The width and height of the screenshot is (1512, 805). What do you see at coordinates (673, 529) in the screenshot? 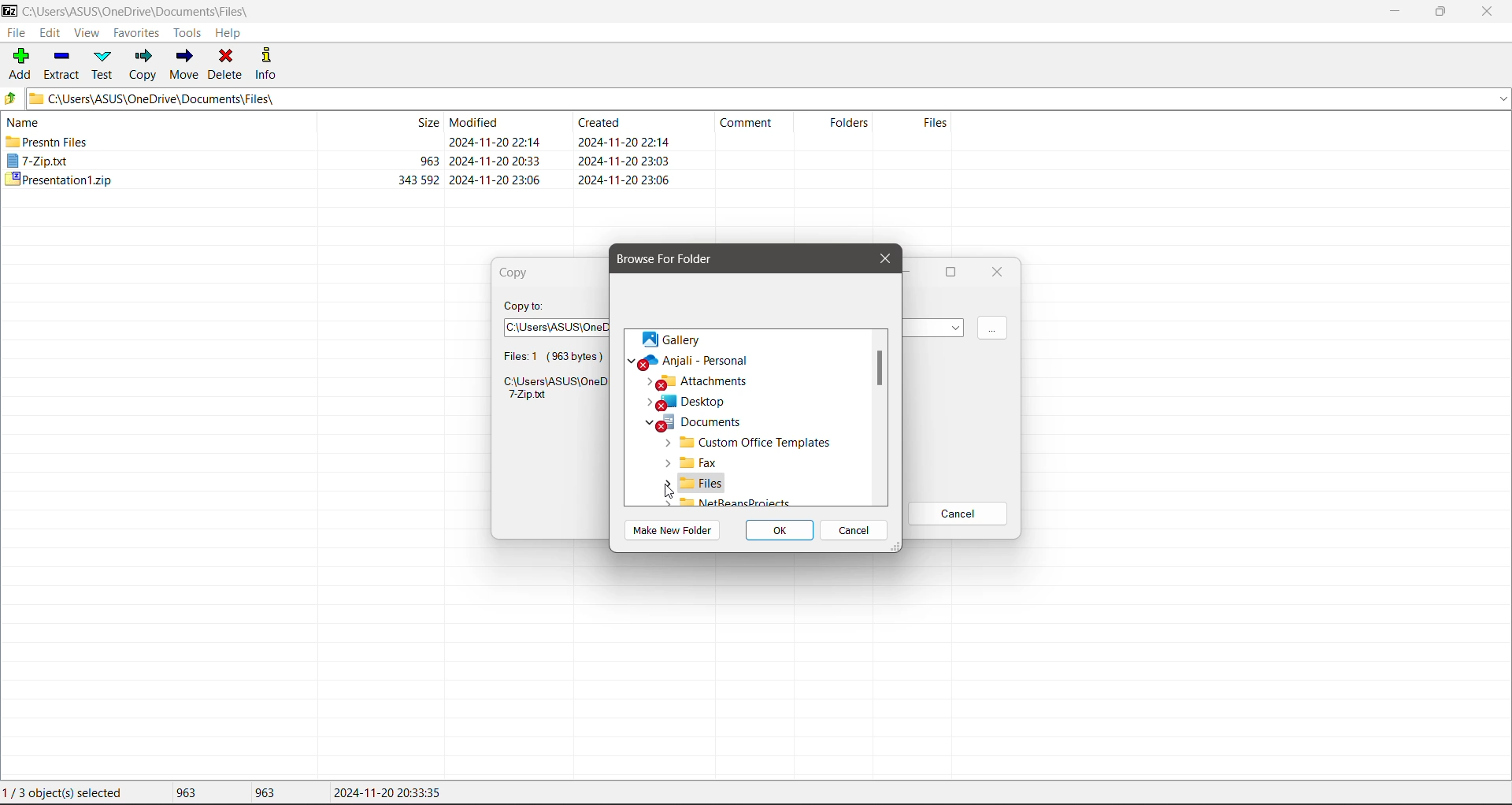
I see `Make New Folder` at bounding box center [673, 529].